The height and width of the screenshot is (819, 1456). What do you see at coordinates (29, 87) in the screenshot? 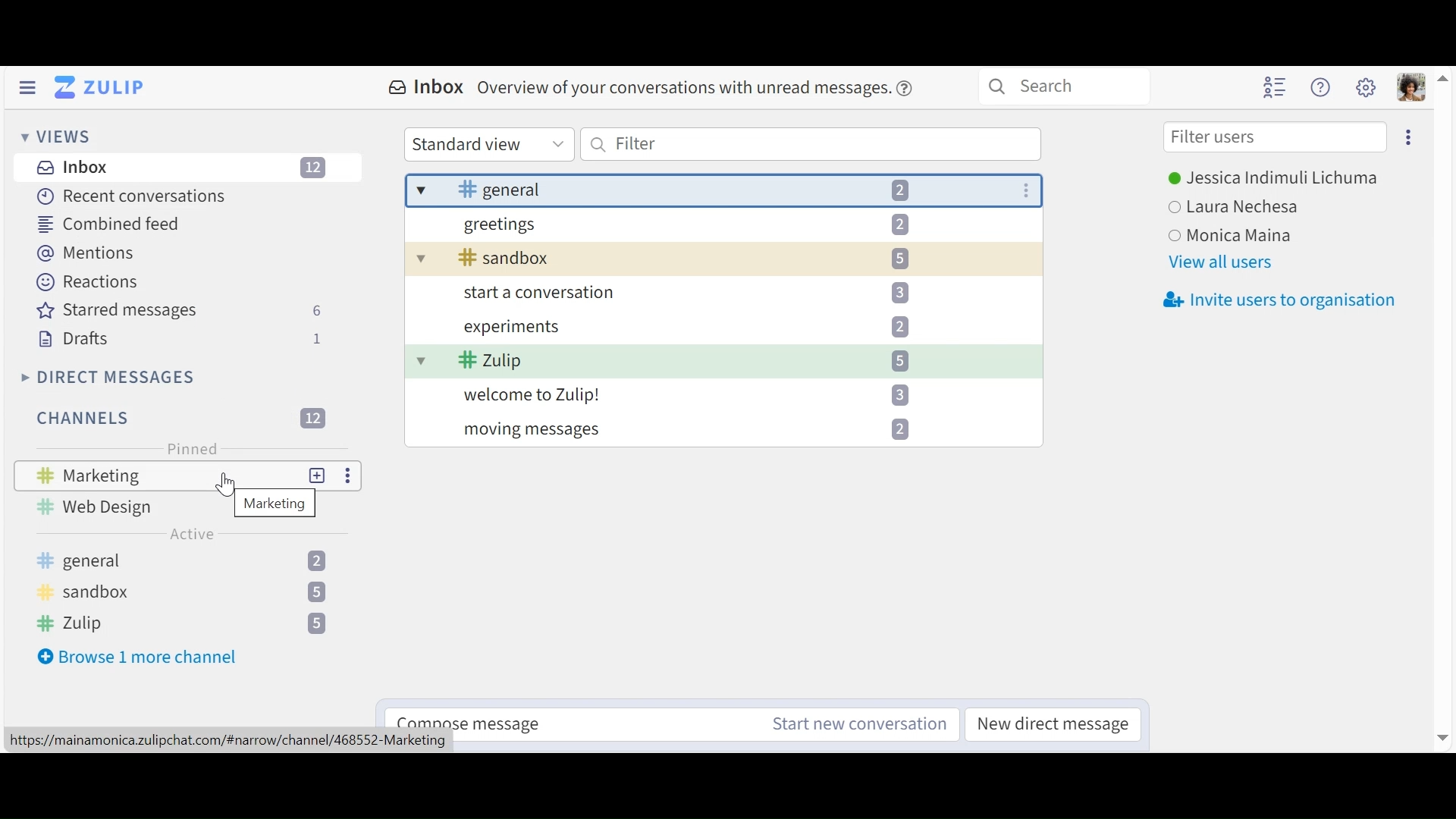
I see `Hide left Sidebar` at bounding box center [29, 87].